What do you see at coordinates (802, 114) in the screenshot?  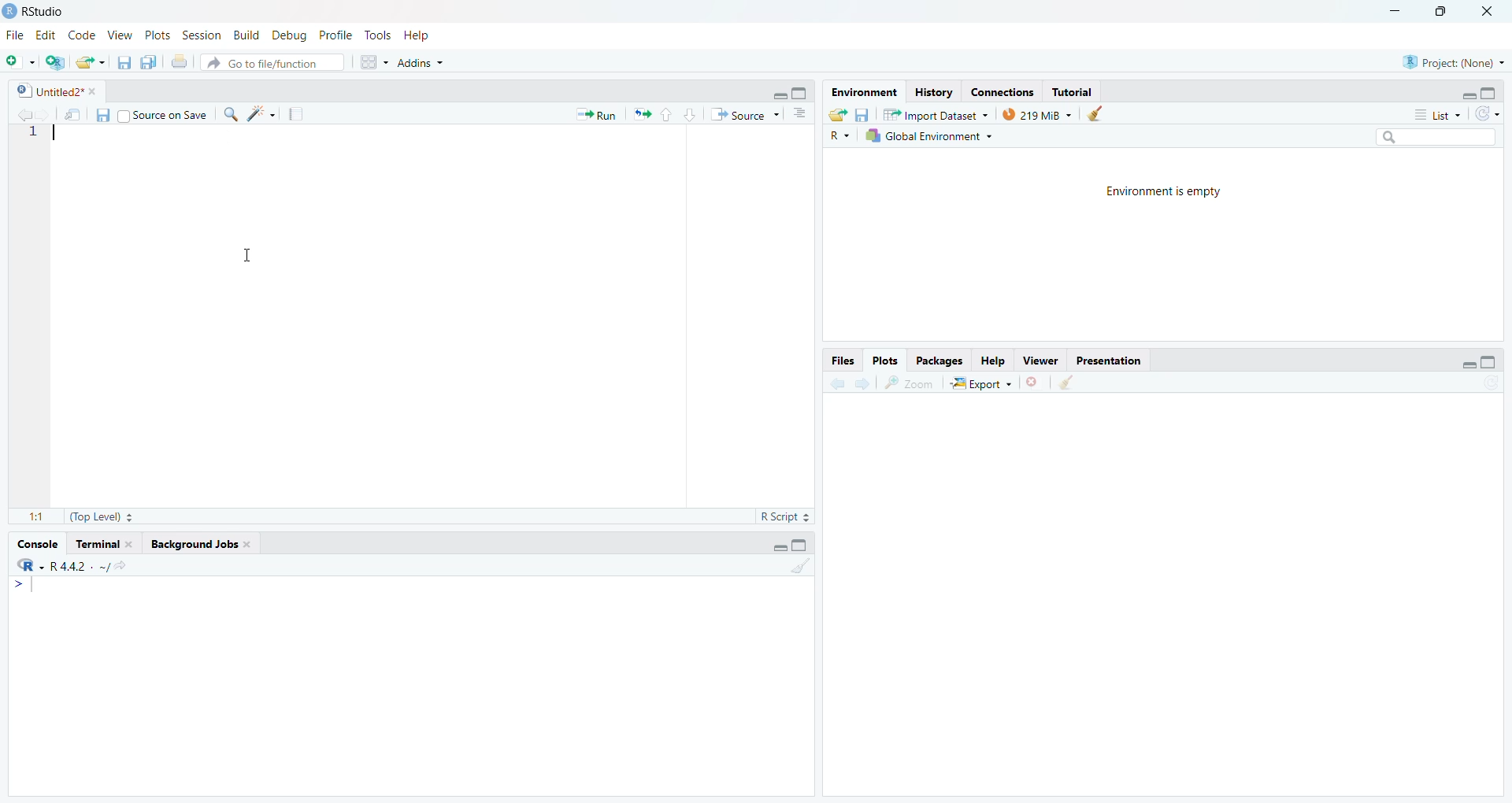 I see `Show document outline` at bounding box center [802, 114].